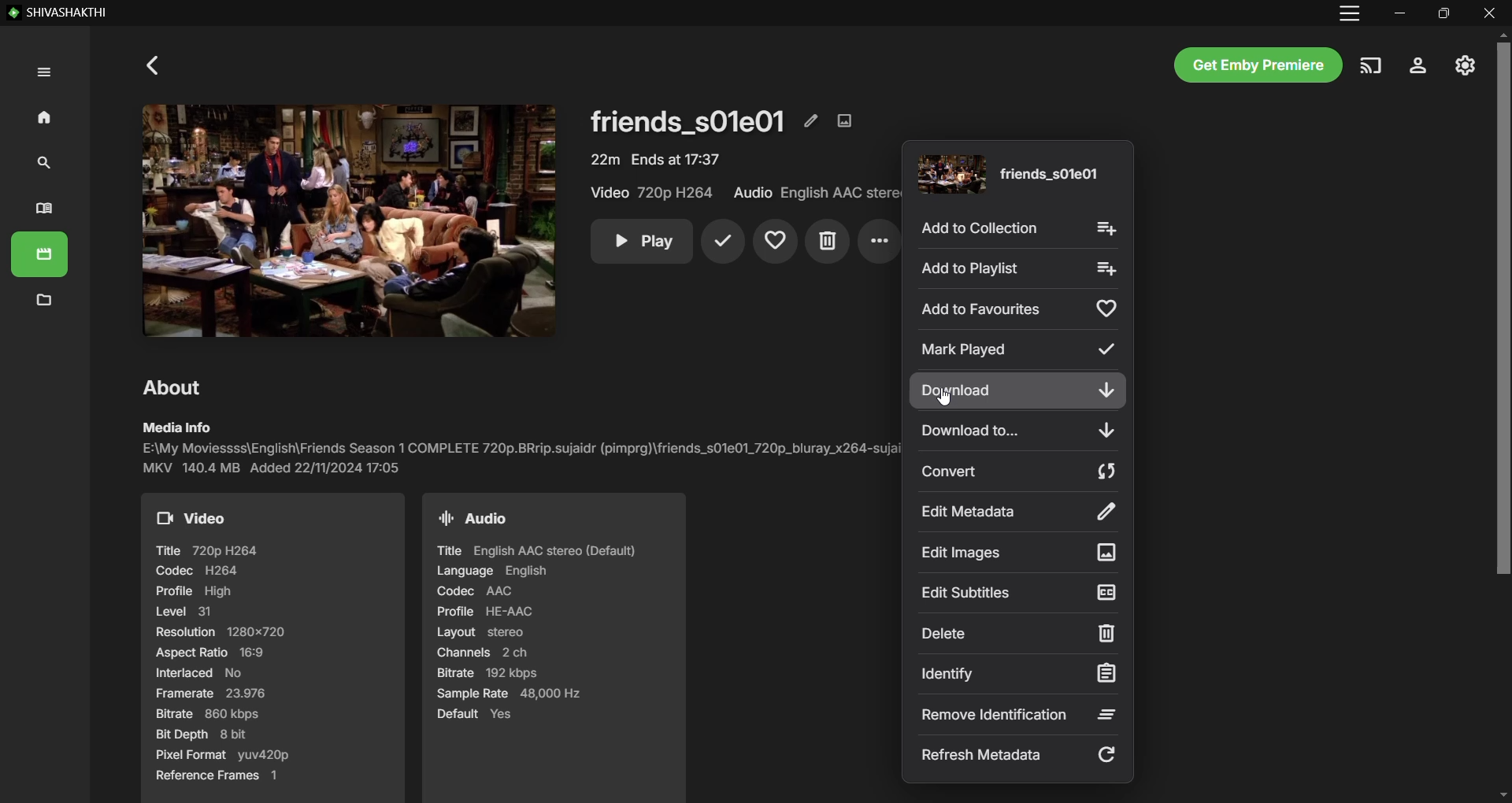 The width and height of the screenshot is (1512, 803). What do you see at coordinates (1020, 269) in the screenshot?
I see `Add to Playlist` at bounding box center [1020, 269].